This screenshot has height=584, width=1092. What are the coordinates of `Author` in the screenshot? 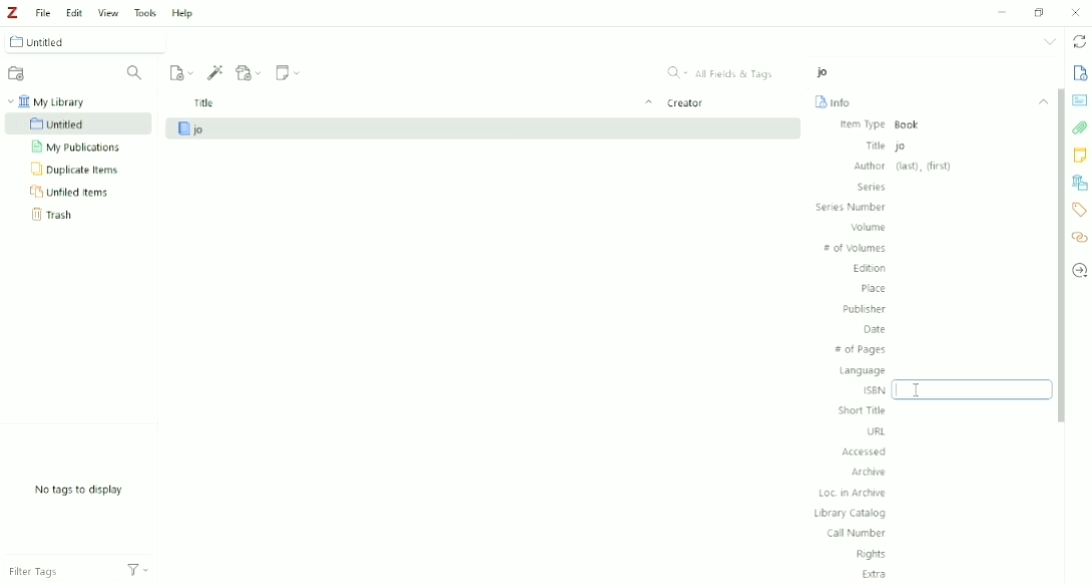 It's located at (904, 166).